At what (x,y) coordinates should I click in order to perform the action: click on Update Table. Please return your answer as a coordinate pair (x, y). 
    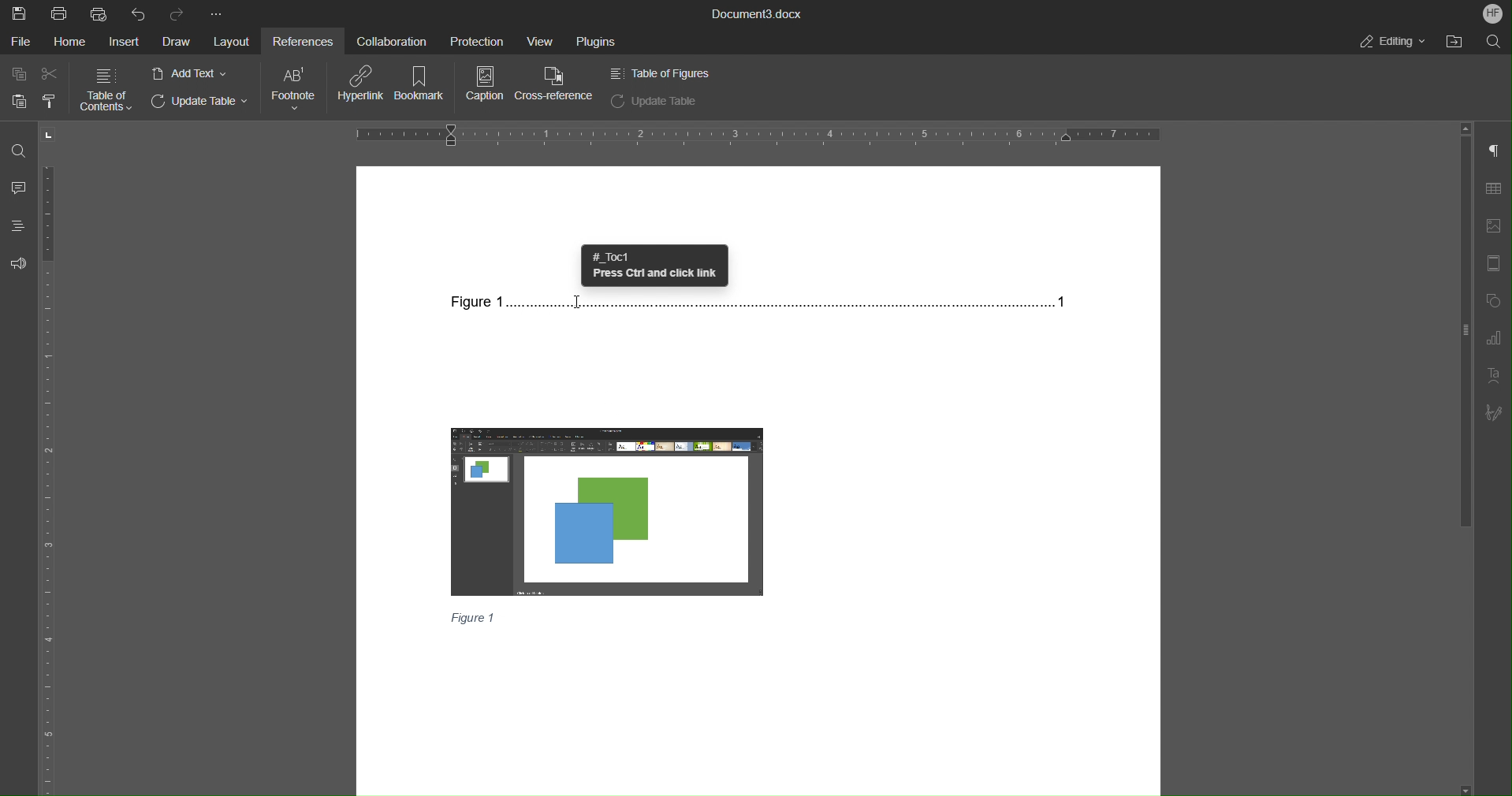
    Looking at the image, I should click on (203, 103).